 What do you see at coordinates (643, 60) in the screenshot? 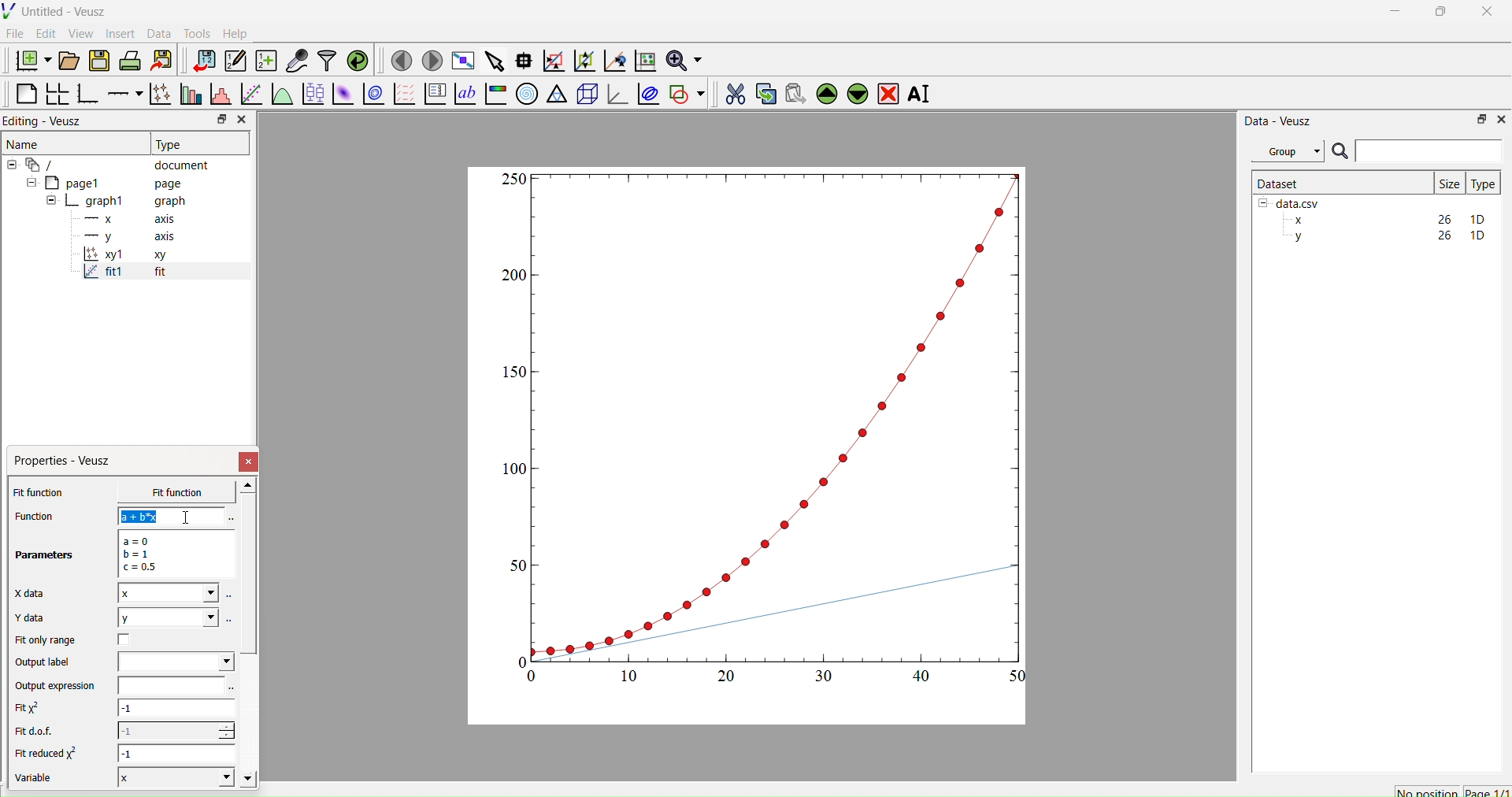
I see `Reset graph axis` at bounding box center [643, 60].